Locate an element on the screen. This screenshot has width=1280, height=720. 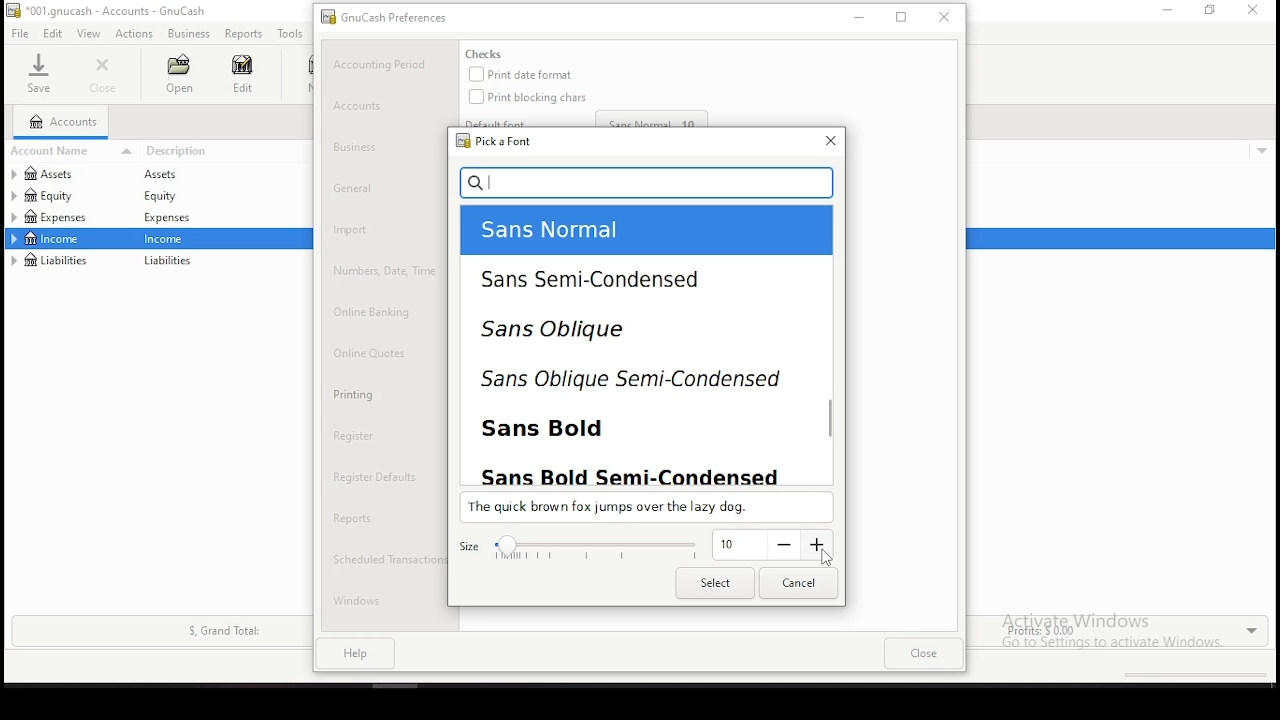
sans semi-condensed is located at coordinates (596, 279).